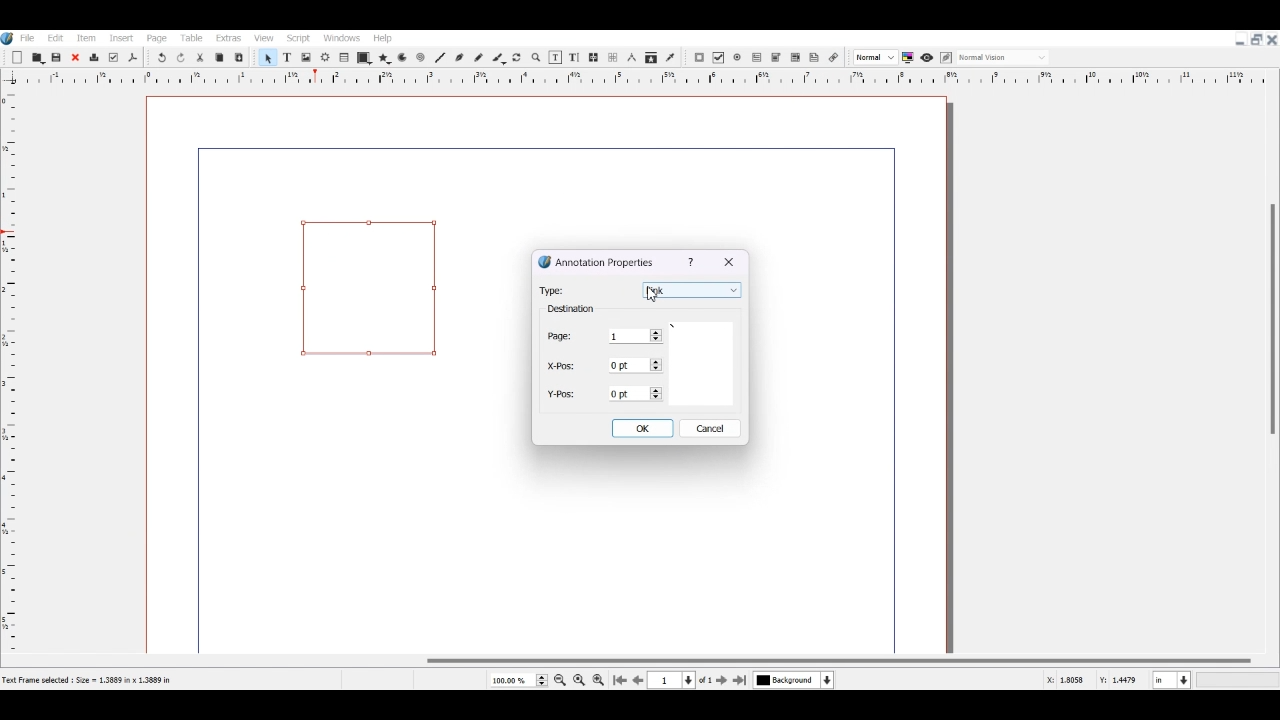 This screenshot has height=720, width=1280. Describe the element at coordinates (420, 58) in the screenshot. I see `Spiral` at that location.